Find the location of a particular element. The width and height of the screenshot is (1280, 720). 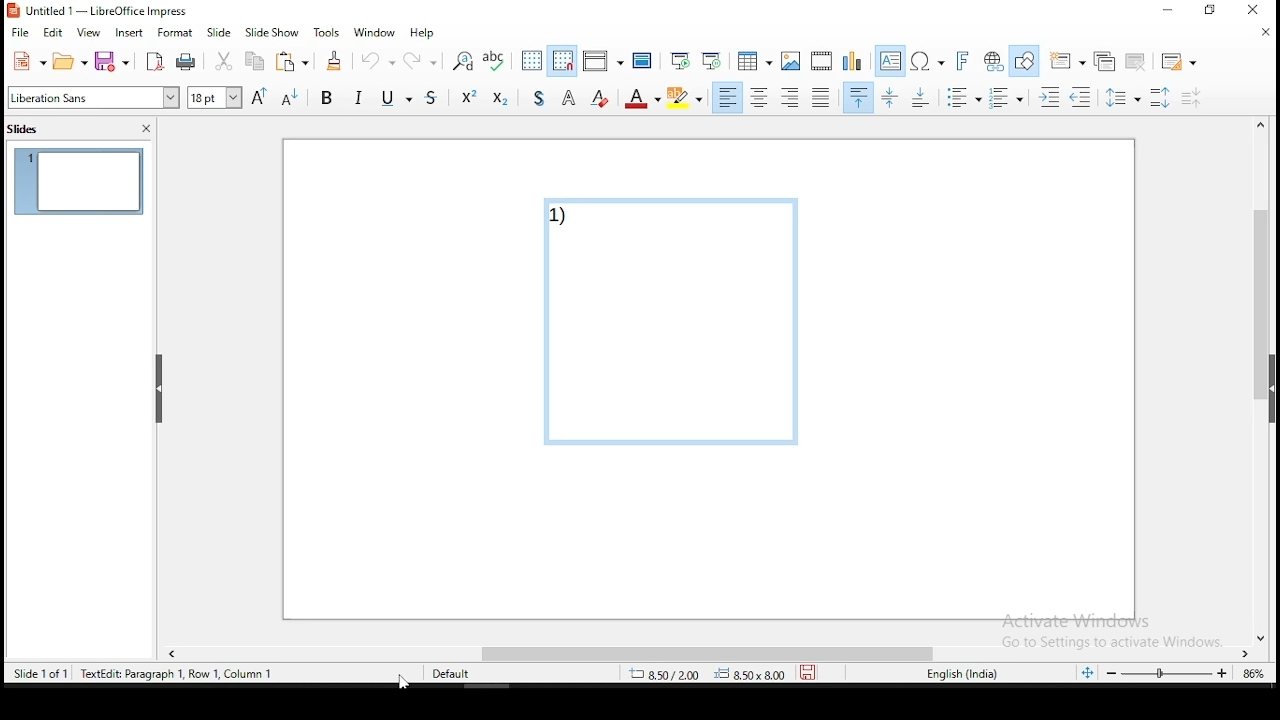

file is located at coordinates (20, 31).